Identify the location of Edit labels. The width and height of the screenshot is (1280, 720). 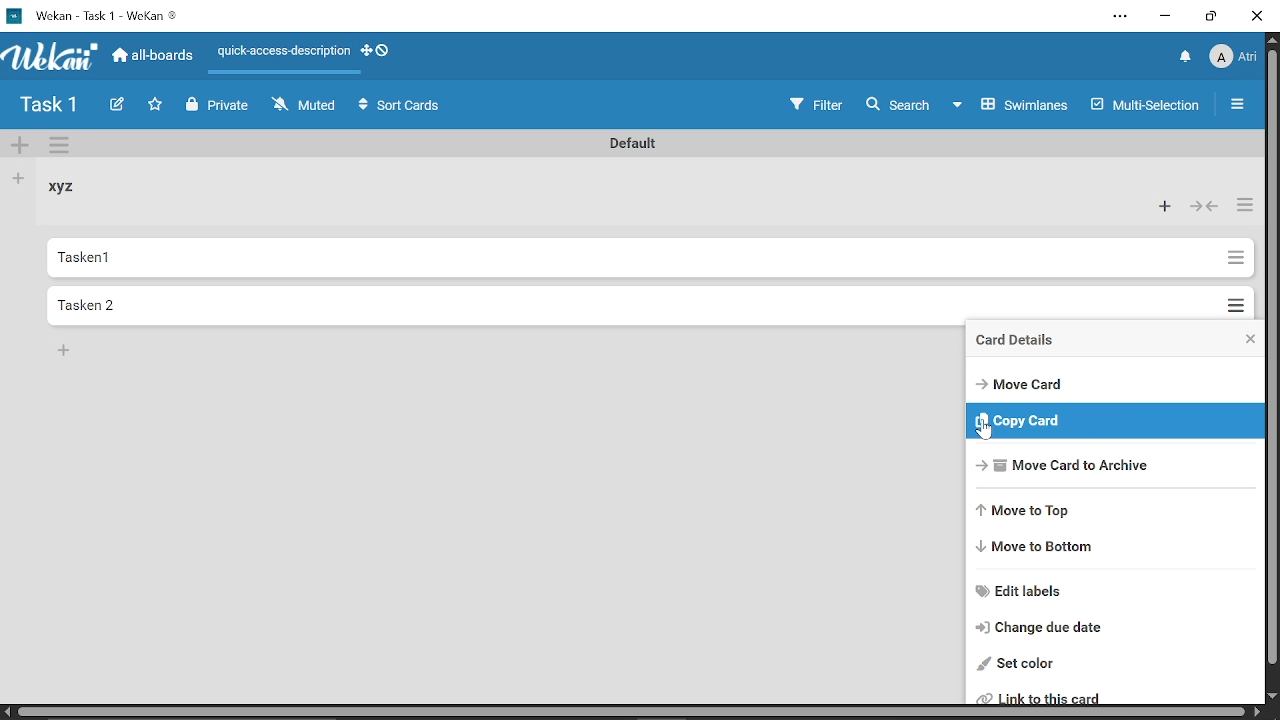
(1114, 590).